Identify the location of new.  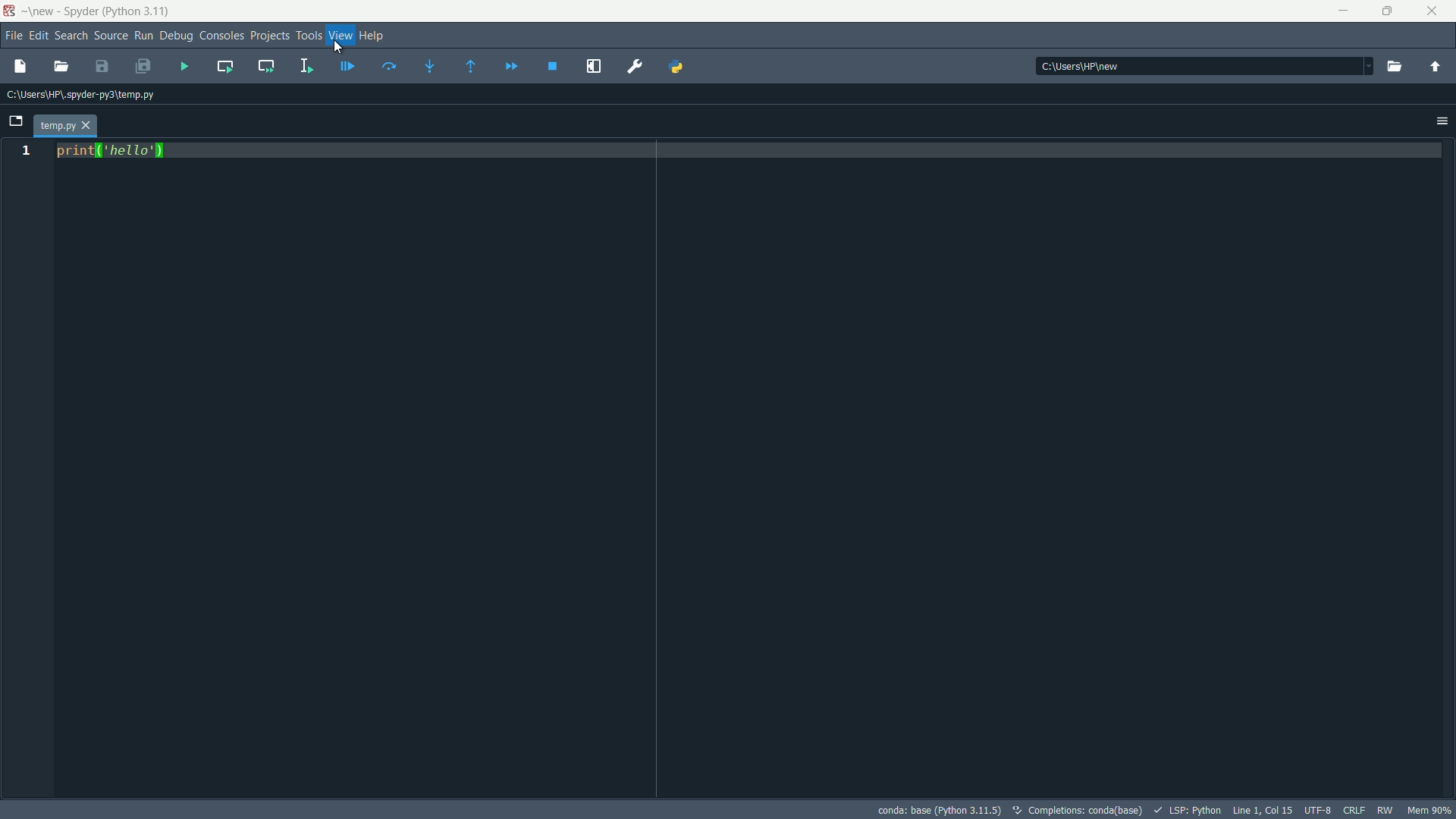
(42, 11).